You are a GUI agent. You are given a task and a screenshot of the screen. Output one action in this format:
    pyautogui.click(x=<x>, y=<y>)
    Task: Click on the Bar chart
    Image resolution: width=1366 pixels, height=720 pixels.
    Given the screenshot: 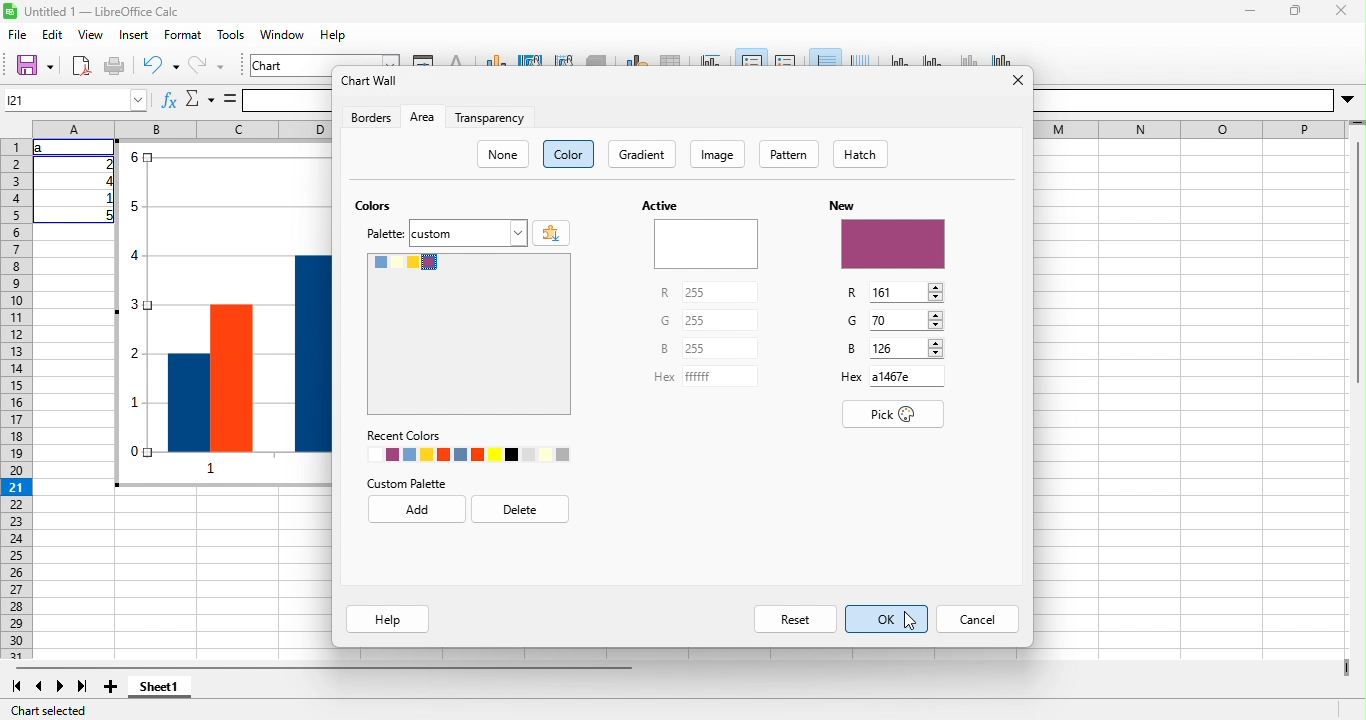 What is the action you would take?
    pyautogui.click(x=223, y=313)
    